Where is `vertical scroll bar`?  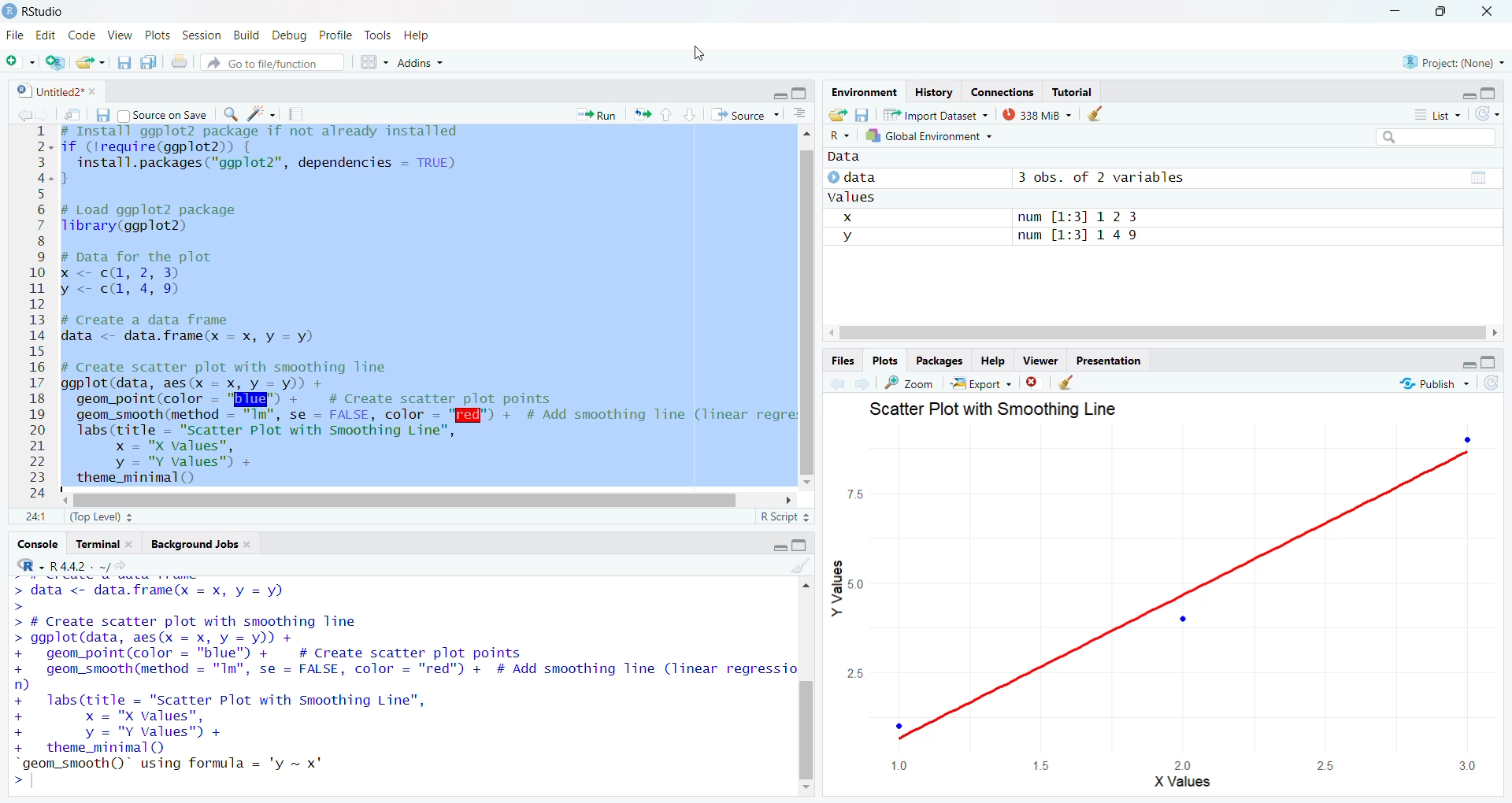
vertical scroll bar is located at coordinates (810, 688).